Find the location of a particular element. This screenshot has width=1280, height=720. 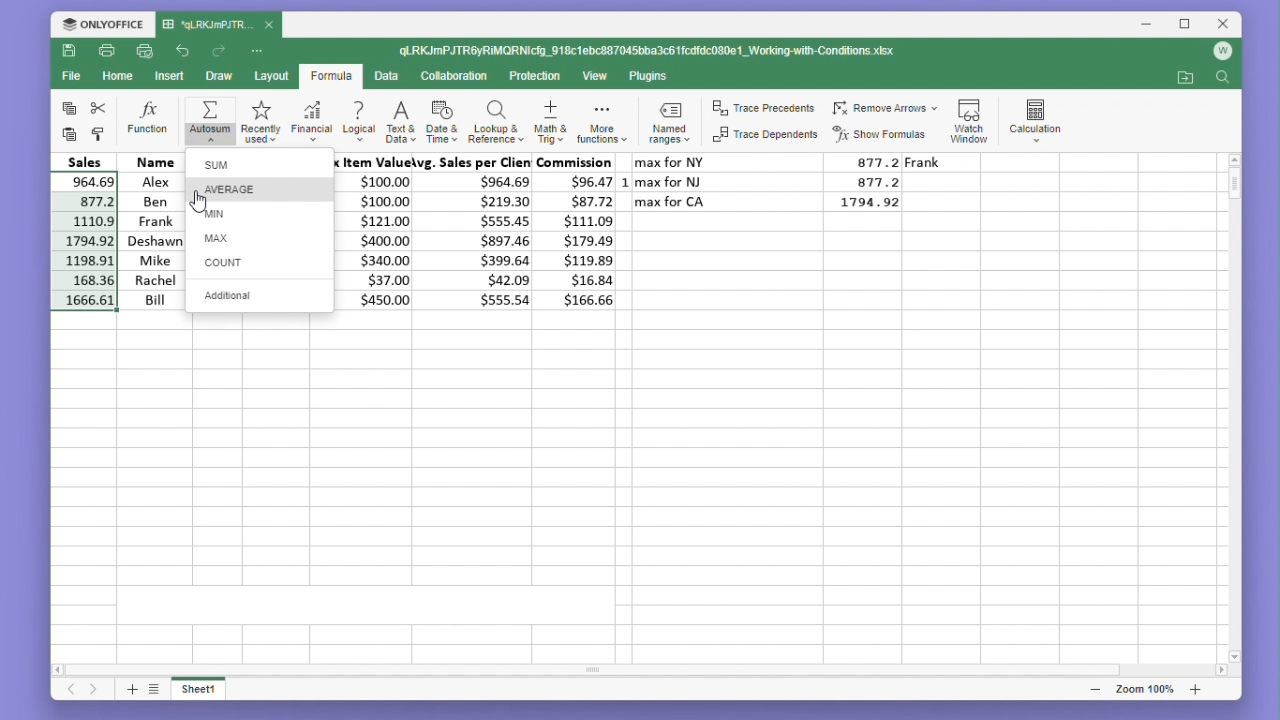

Maximize is located at coordinates (1181, 25).